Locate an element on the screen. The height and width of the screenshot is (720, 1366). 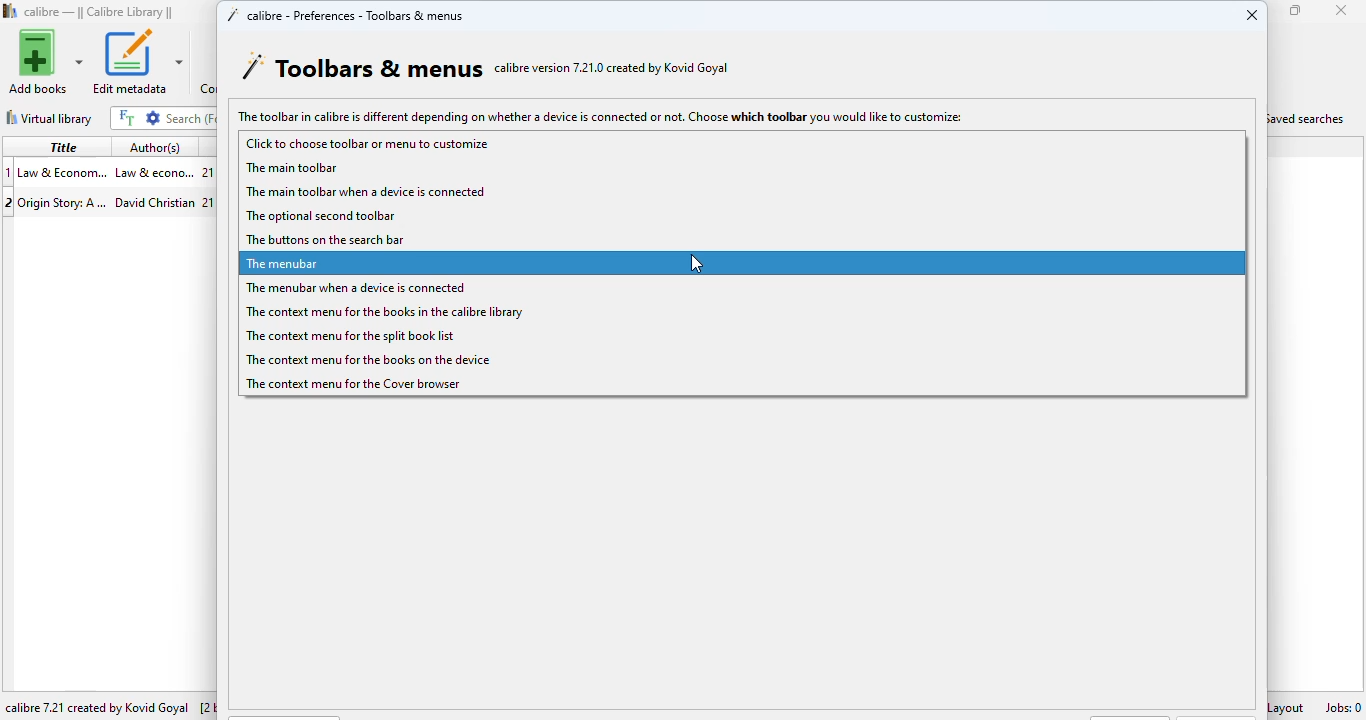
the context menu for the books in the calibre library is located at coordinates (383, 312).